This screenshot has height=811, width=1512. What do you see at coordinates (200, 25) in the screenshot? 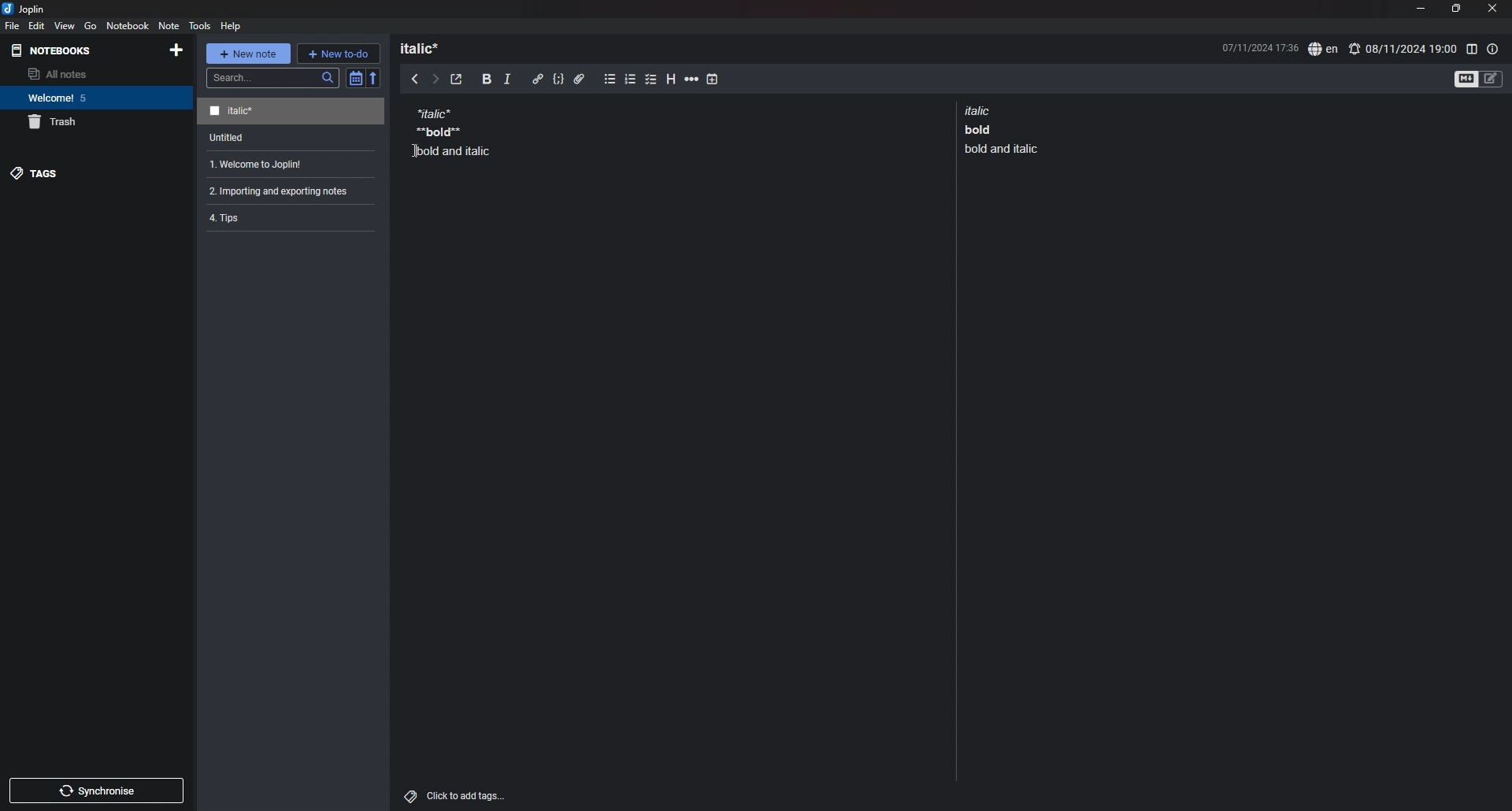
I see `tools` at bounding box center [200, 25].